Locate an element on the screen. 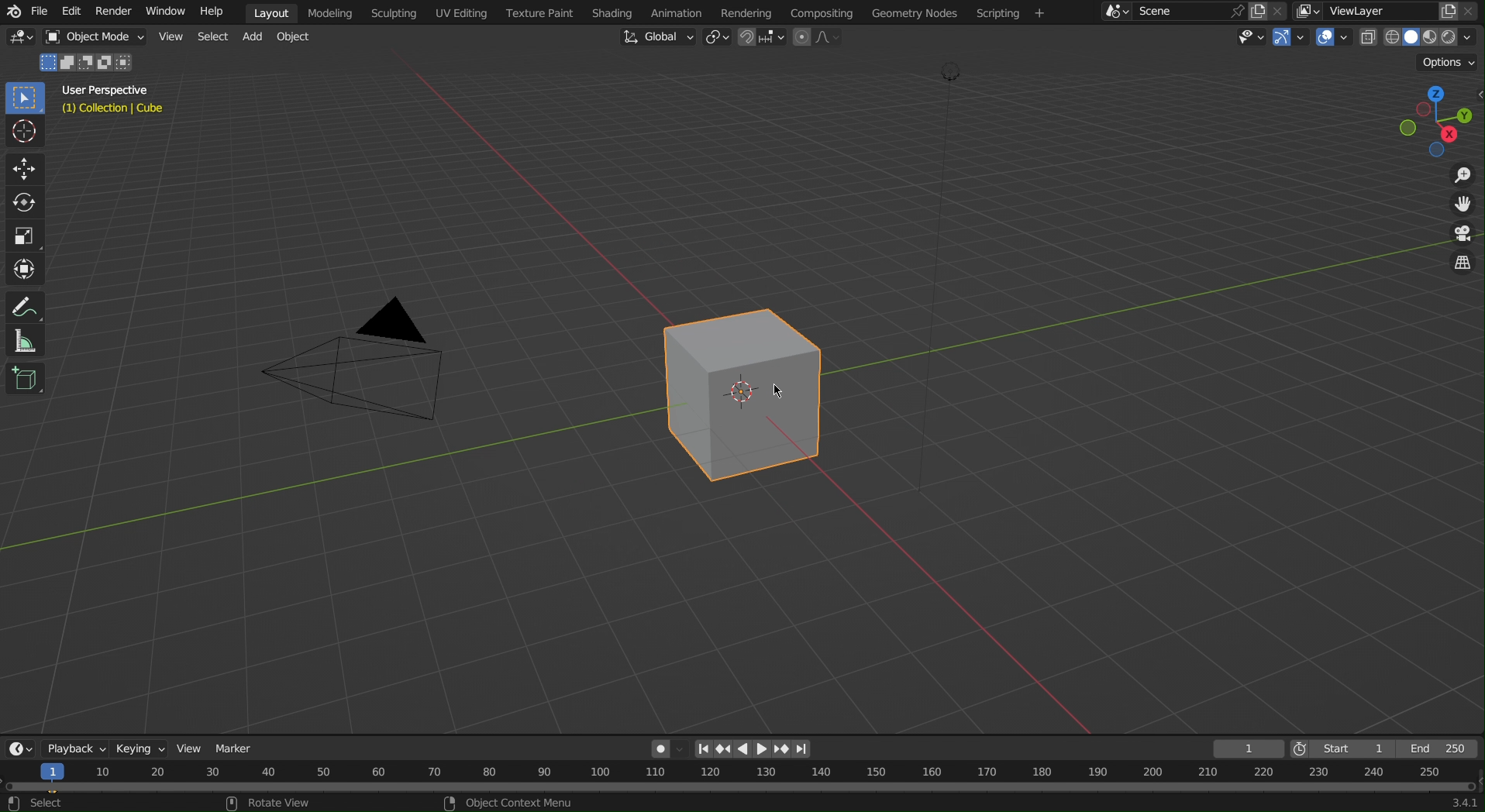 The height and width of the screenshot is (812, 1485). Playback is located at coordinates (78, 745).